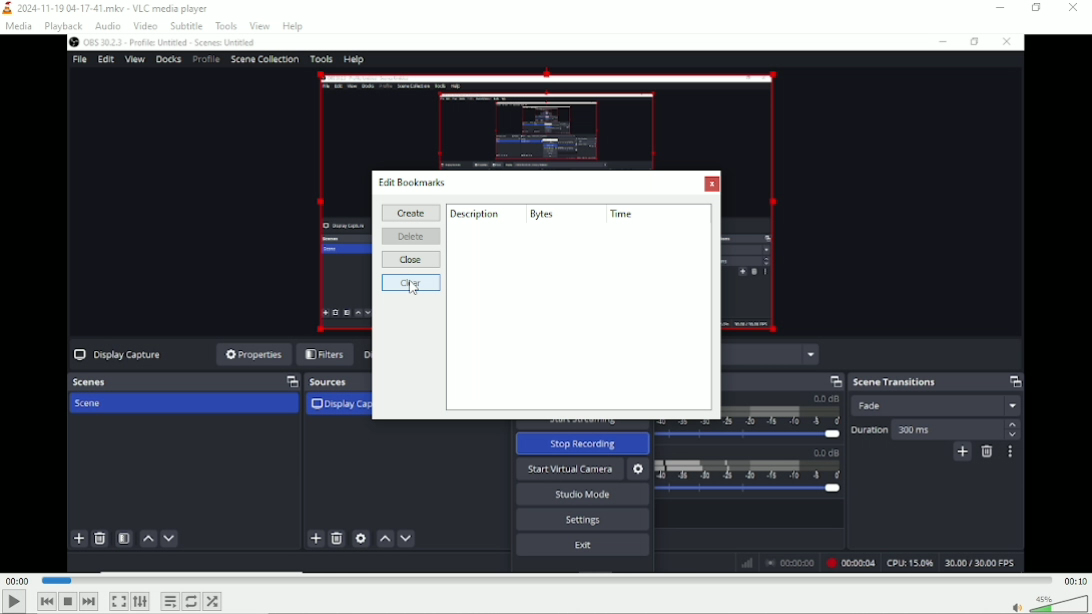  What do you see at coordinates (119, 602) in the screenshot?
I see `Toggle video in fullscreen` at bounding box center [119, 602].